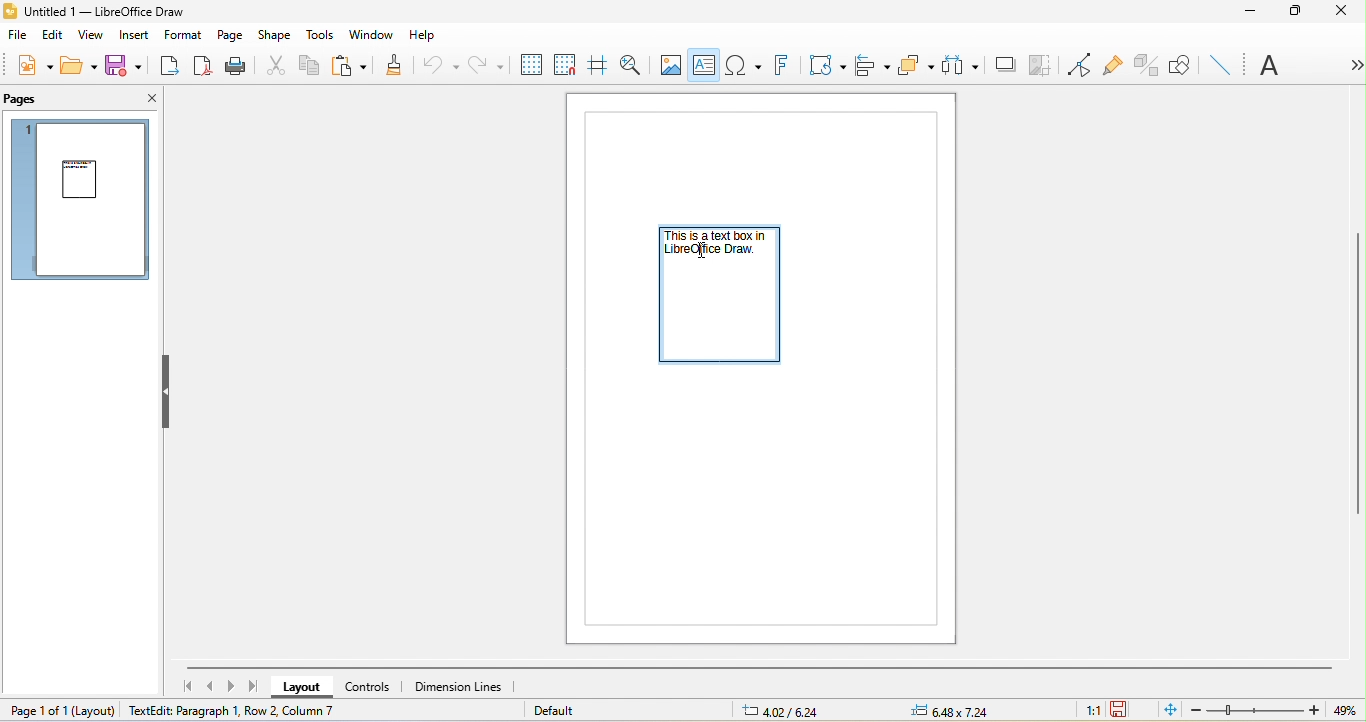 The width and height of the screenshot is (1366, 722). What do you see at coordinates (320, 36) in the screenshot?
I see `tools` at bounding box center [320, 36].